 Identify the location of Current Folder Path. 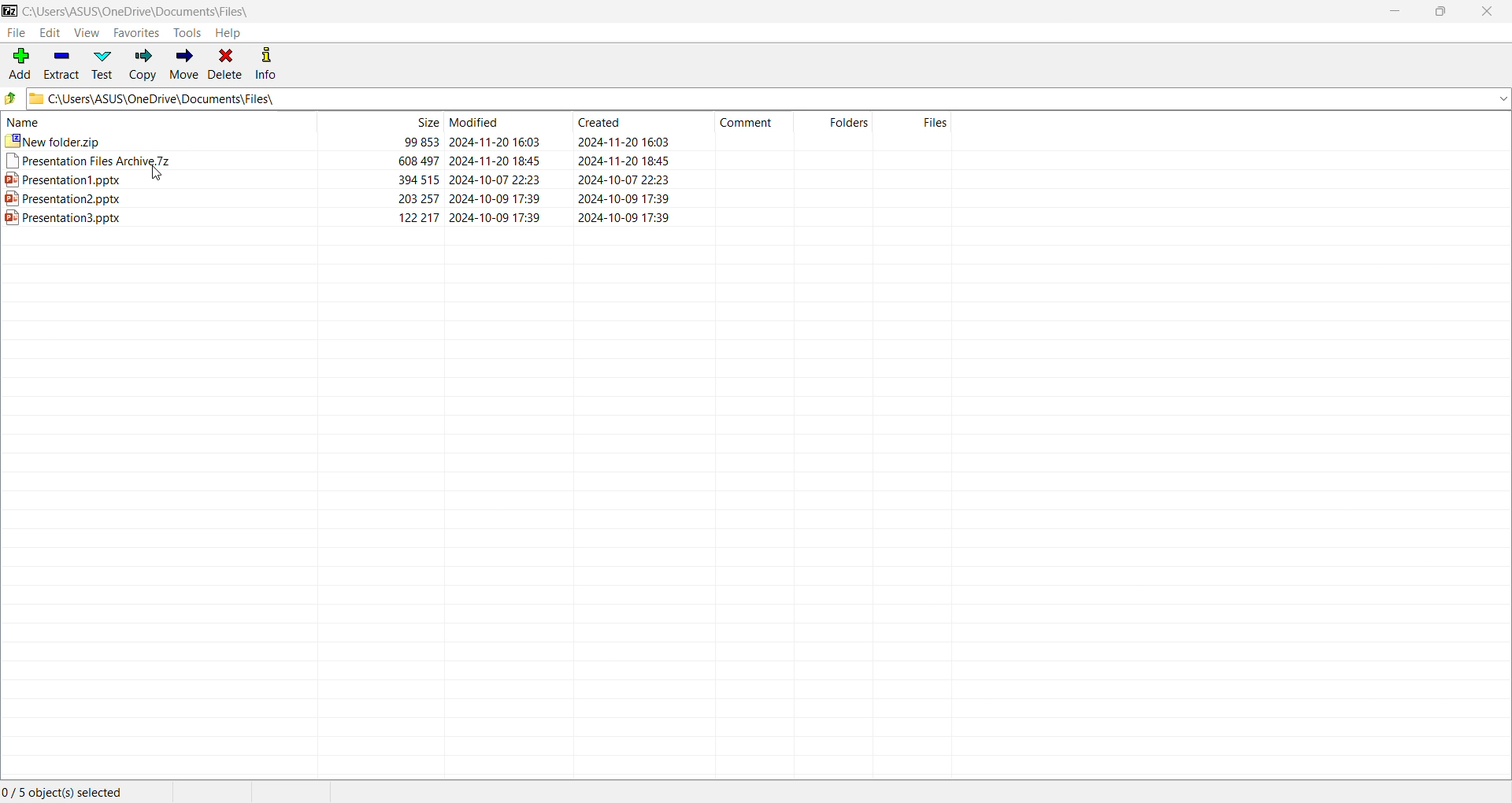
(770, 98).